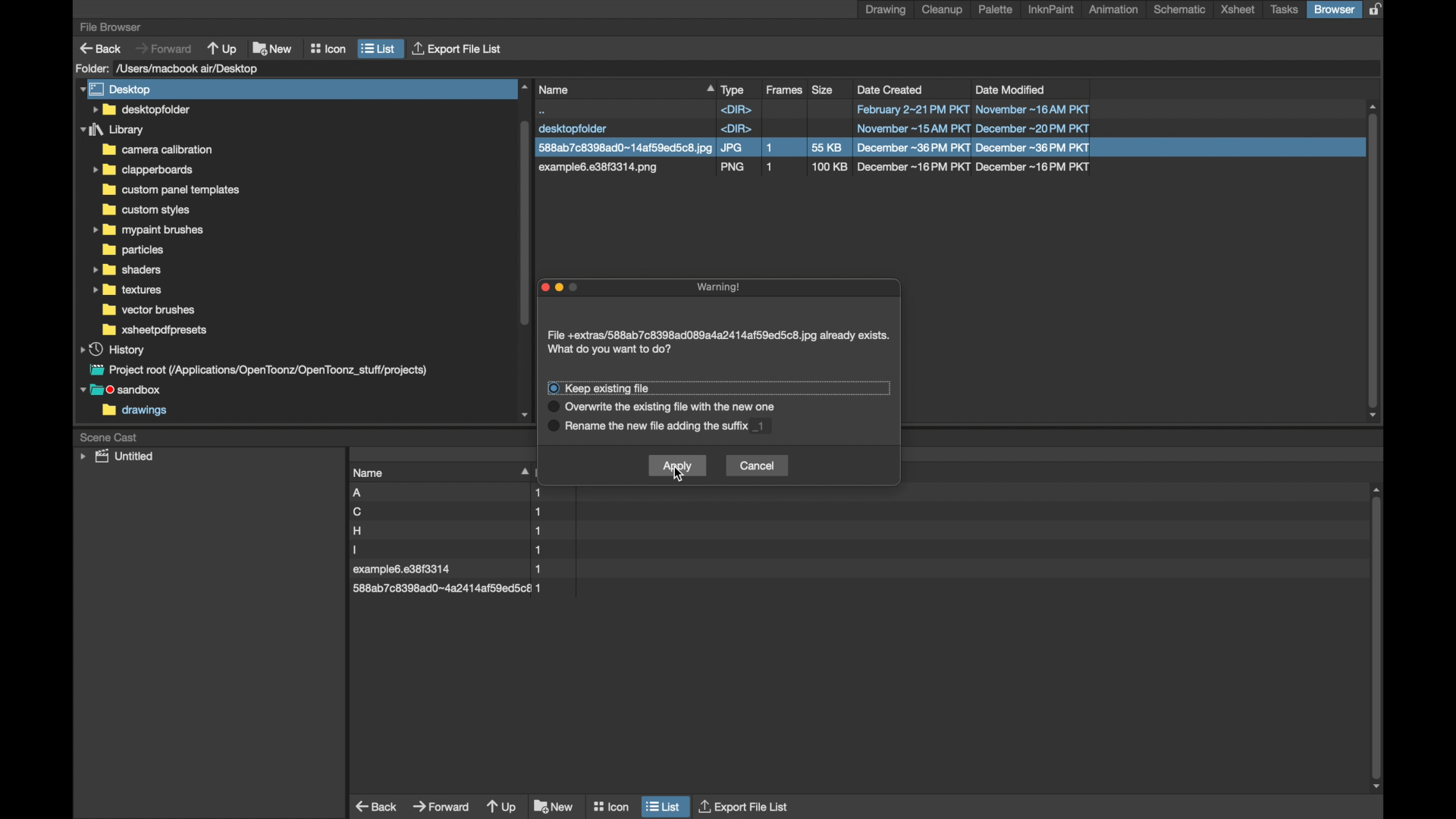  I want to click on folder, so click(151, 310).